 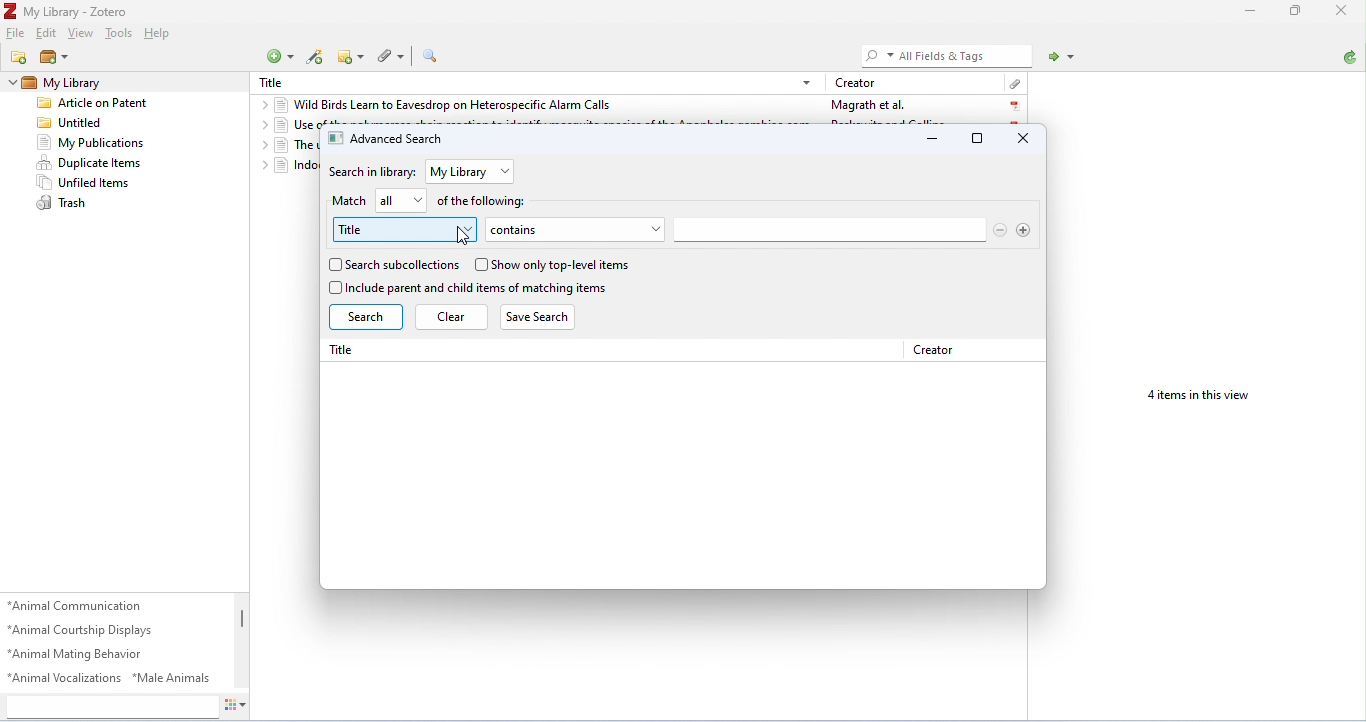 I want to click on untitled, so click(x=73, y=124).